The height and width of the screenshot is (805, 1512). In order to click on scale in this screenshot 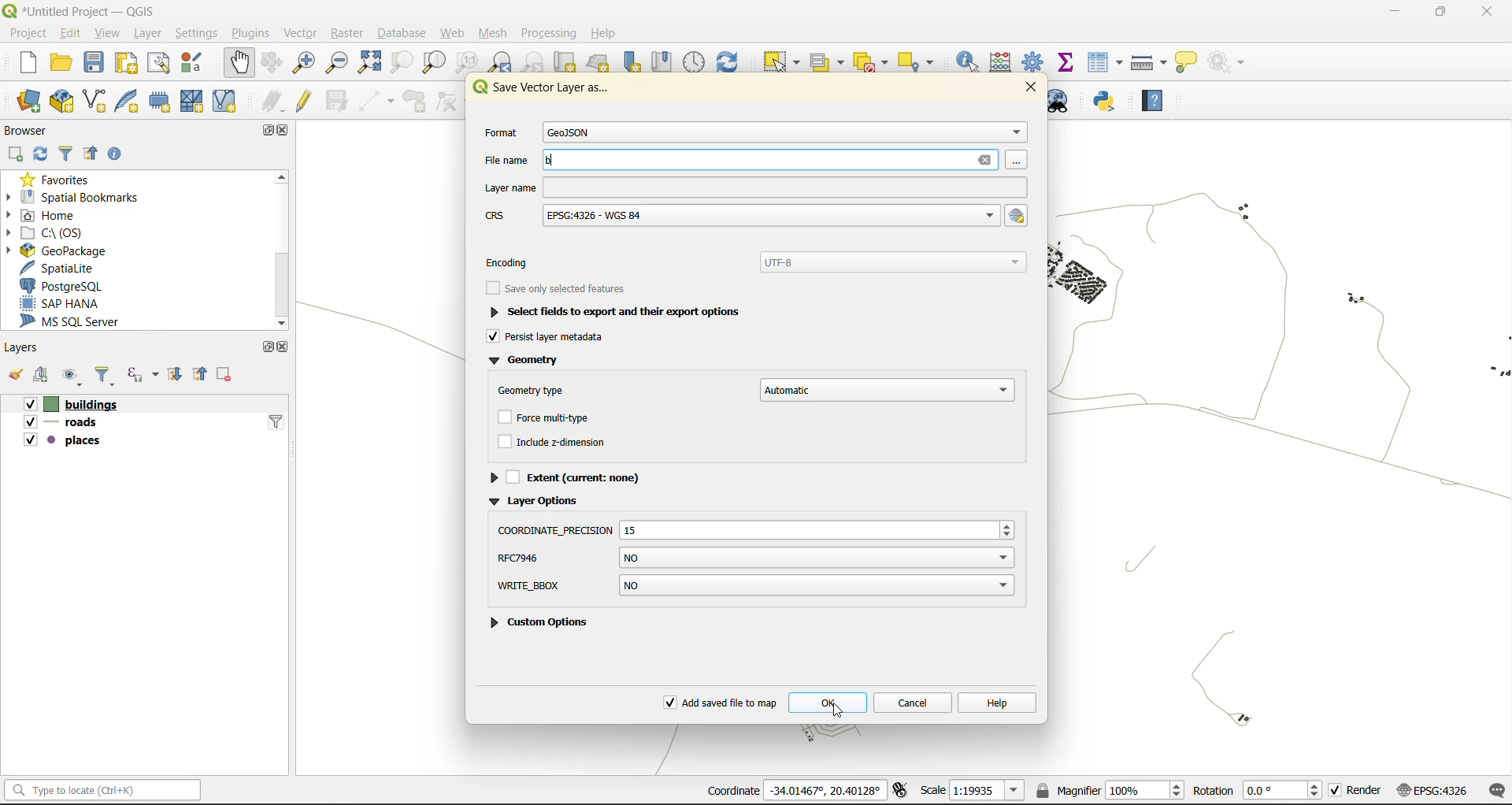, I will do `click(973, 791)`.